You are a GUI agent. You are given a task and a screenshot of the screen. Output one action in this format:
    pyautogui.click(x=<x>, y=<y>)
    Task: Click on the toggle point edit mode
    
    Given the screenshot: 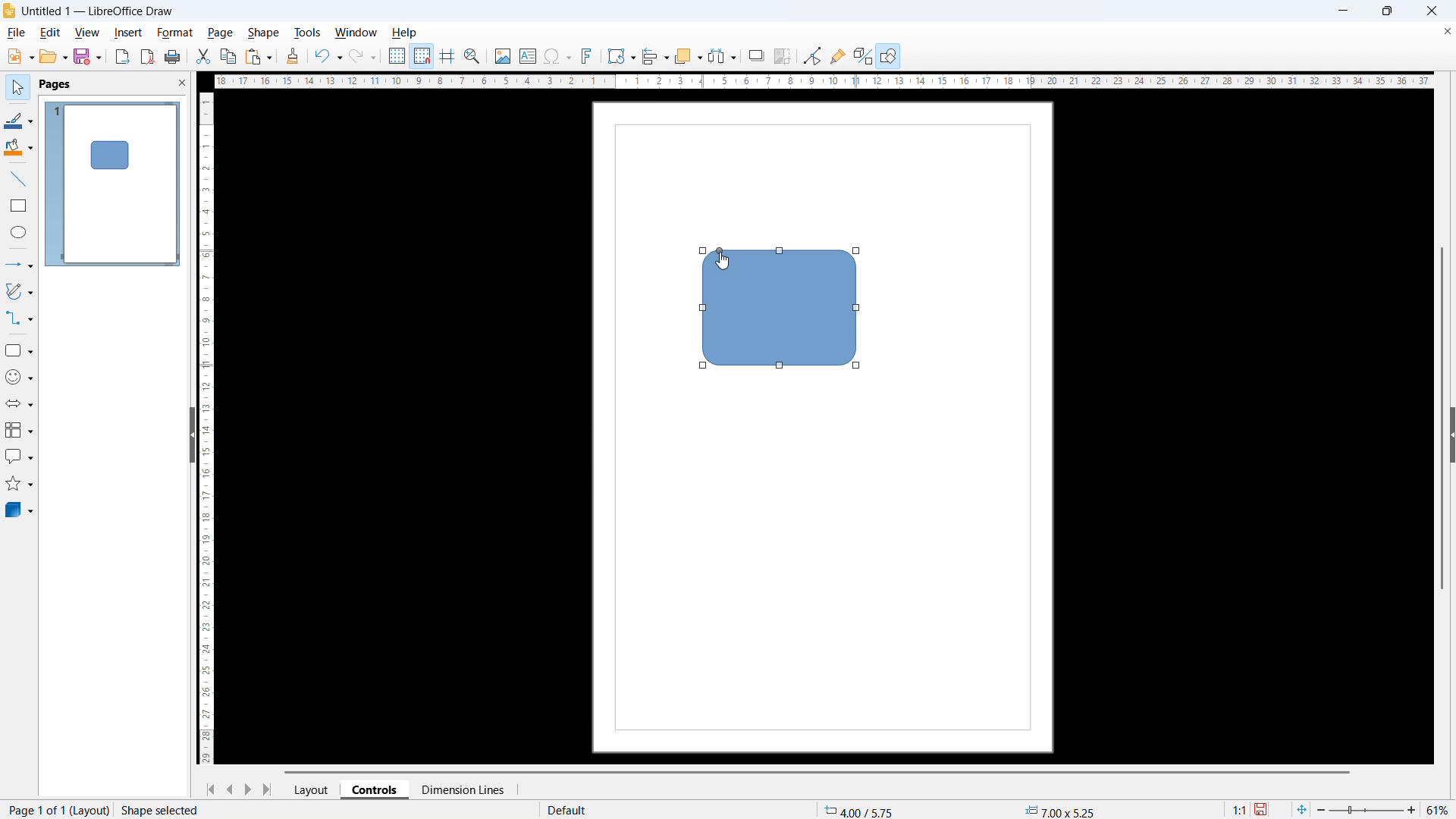 What is the action you would take?
    pyautogui.click(x=813, y=55)
    